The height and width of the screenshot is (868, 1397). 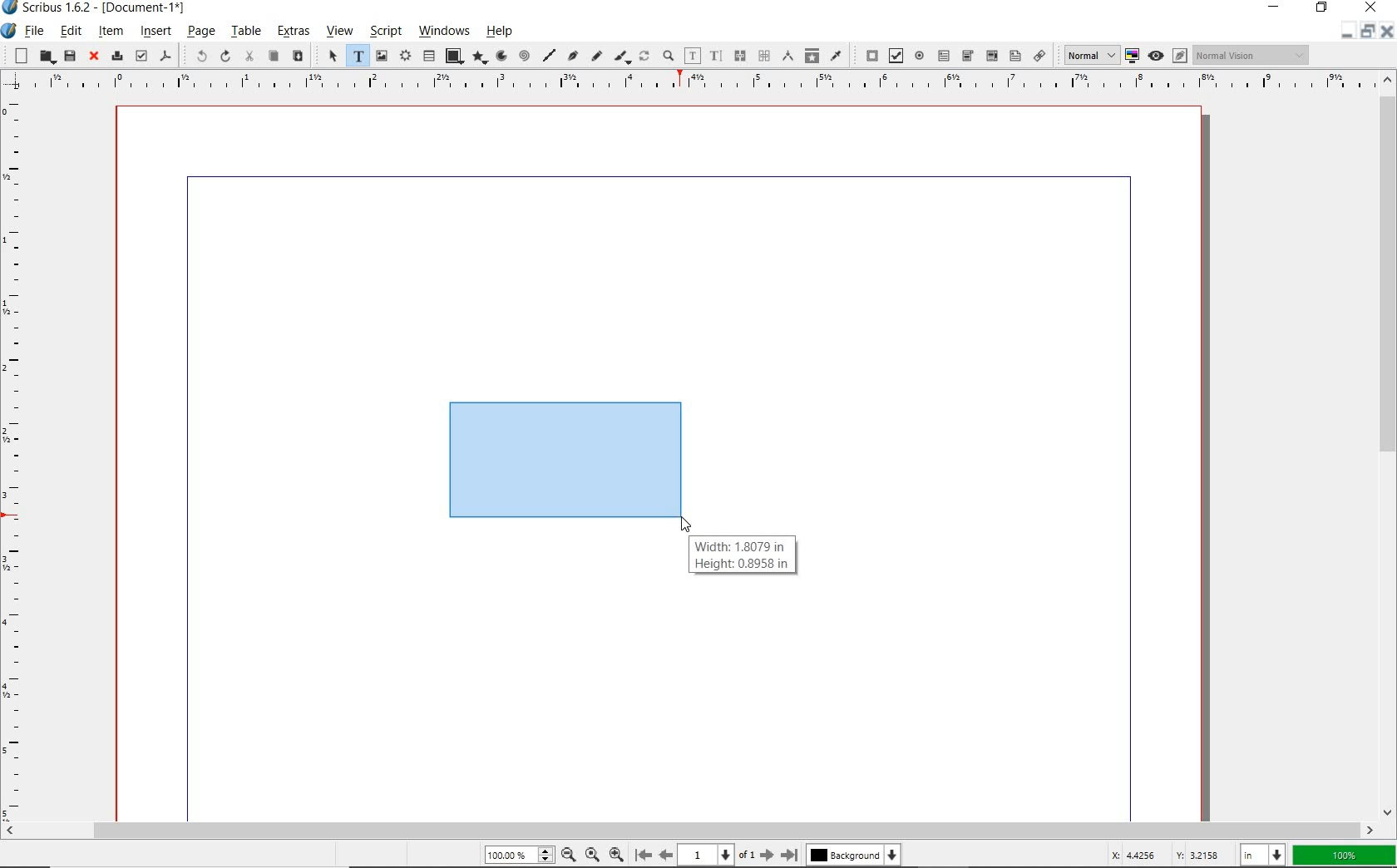 What do you see at coordinates (1041, 57) in the screenshot?
I see `link annotation` at bounding box center [1041, 57].